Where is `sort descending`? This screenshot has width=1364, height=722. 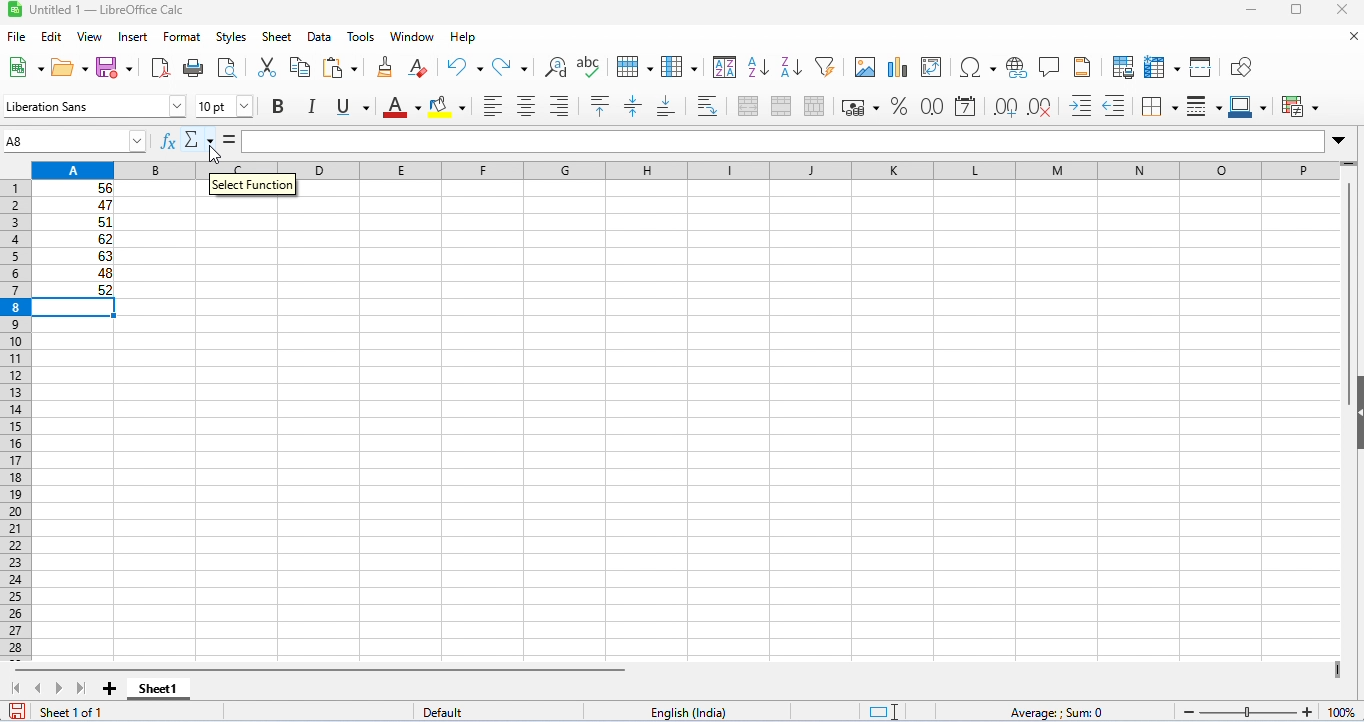 sort descending is located at coordinates (792, 67).